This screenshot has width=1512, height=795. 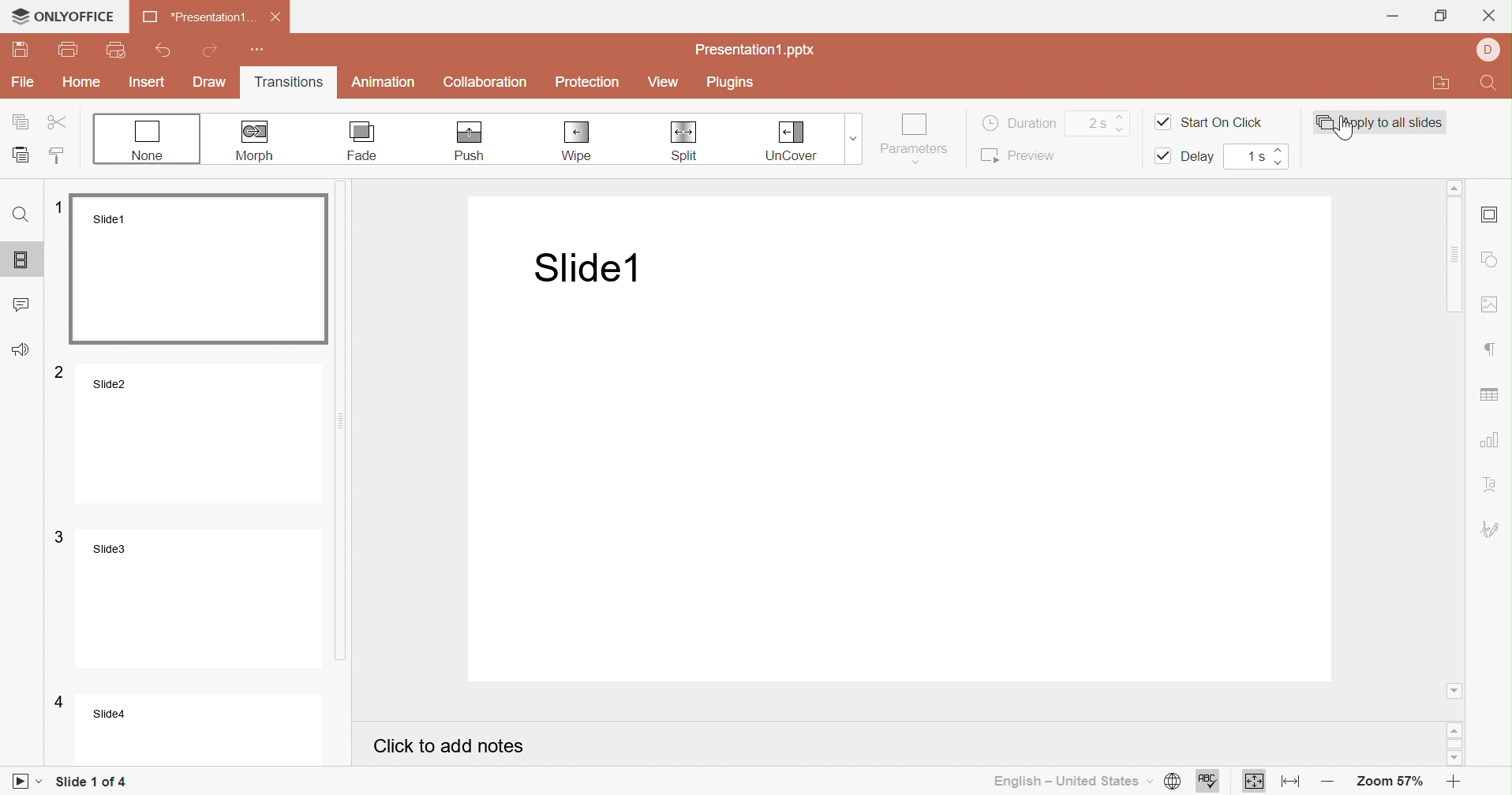 I want to click on Fade, so click(x=363, y=141).